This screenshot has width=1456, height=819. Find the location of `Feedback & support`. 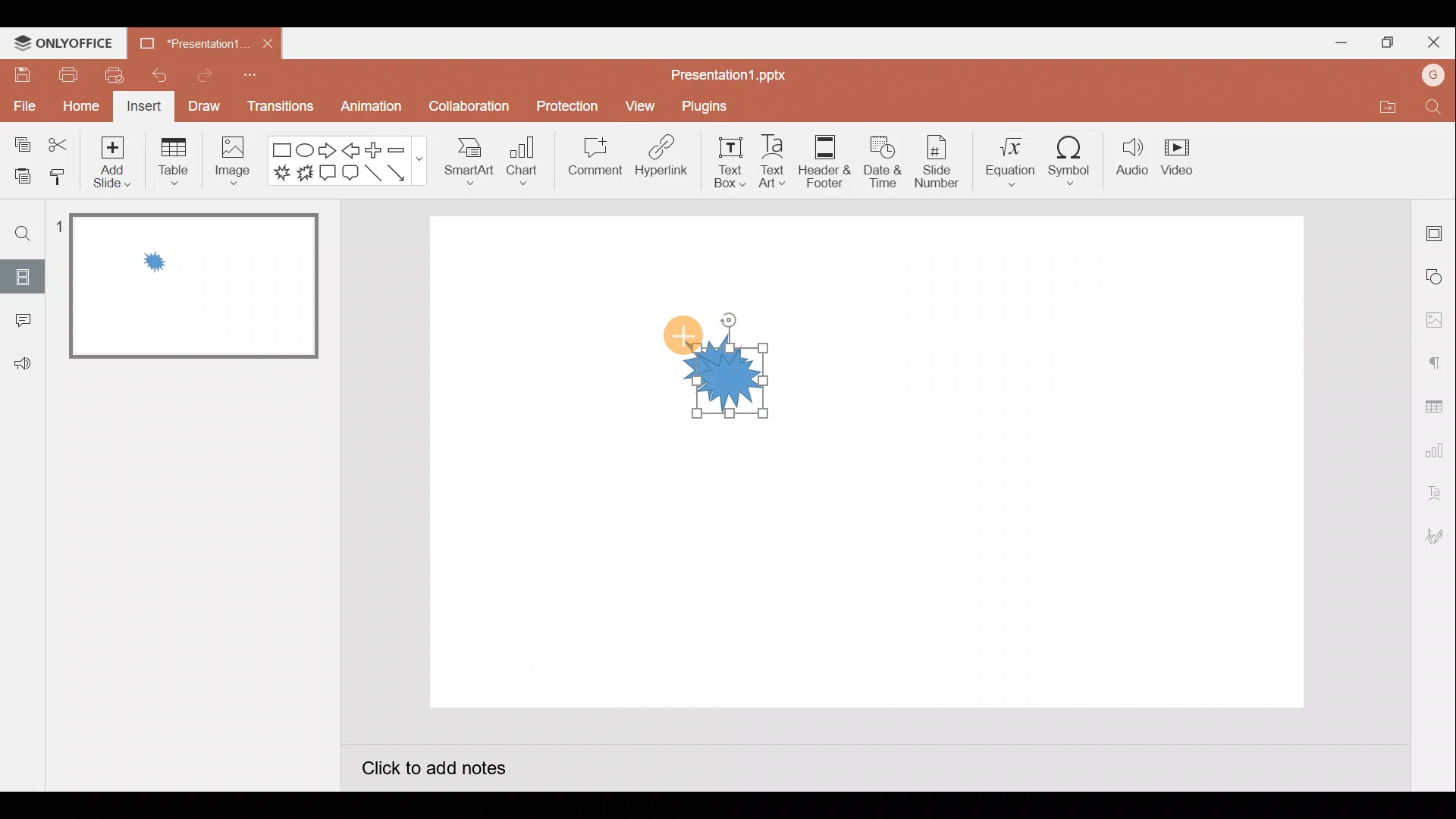

Feedback & support is located at coordinates (22, 365).